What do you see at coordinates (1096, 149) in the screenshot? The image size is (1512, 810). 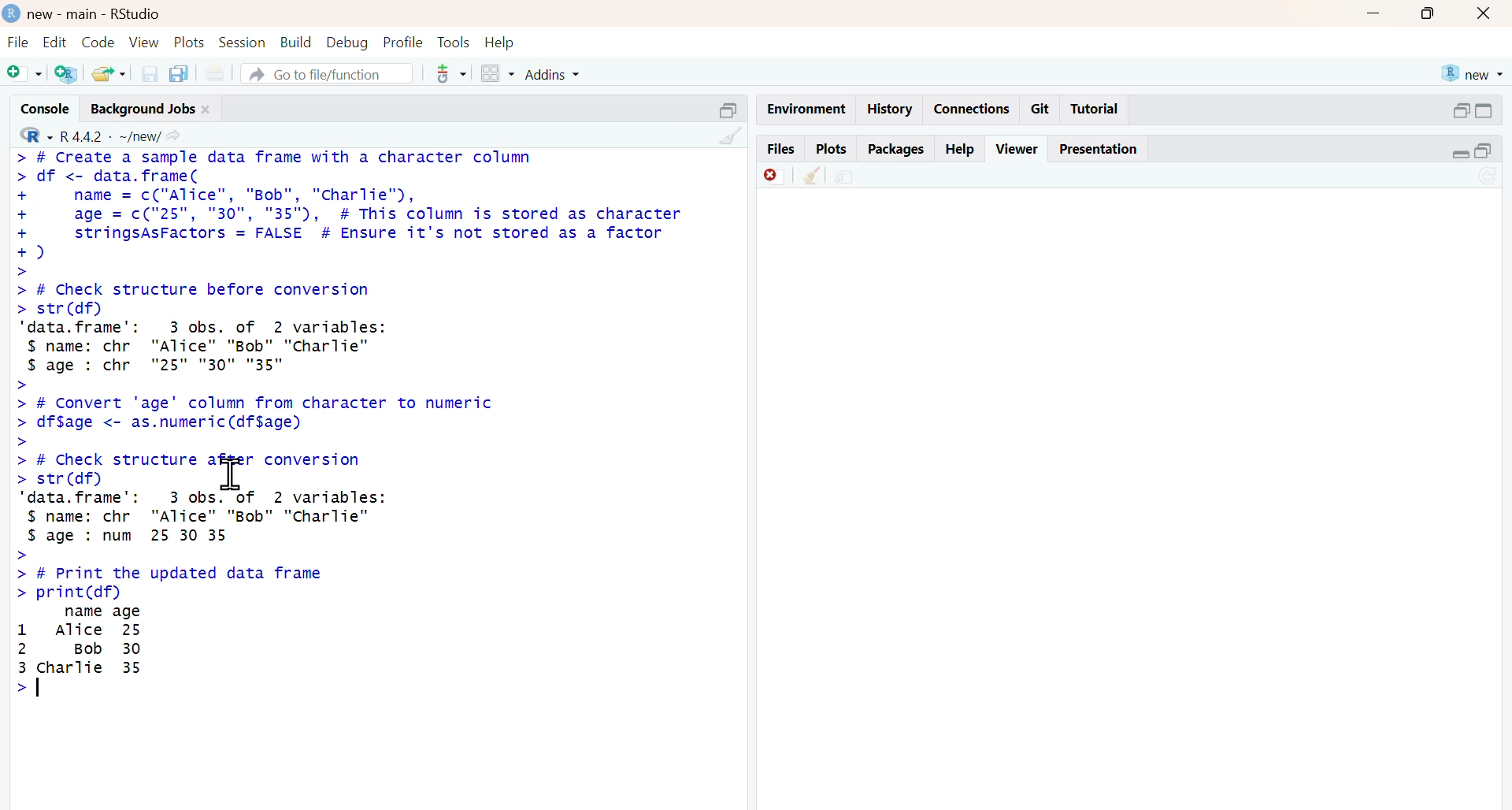 I see `presentation` at bounding box center [1096, 149].